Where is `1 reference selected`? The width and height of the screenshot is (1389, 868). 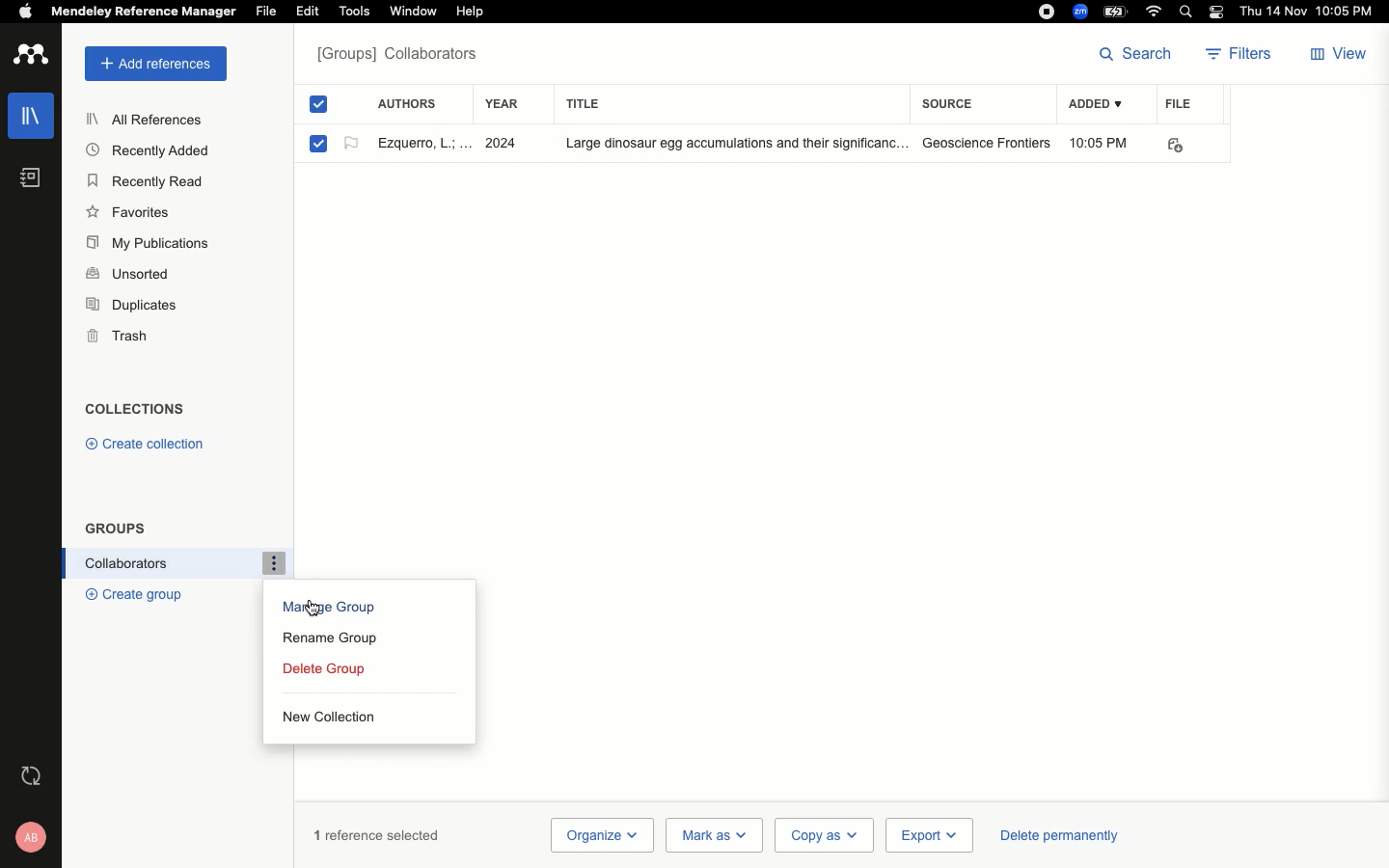
1 reference selected is located at coordinates (378, 834).